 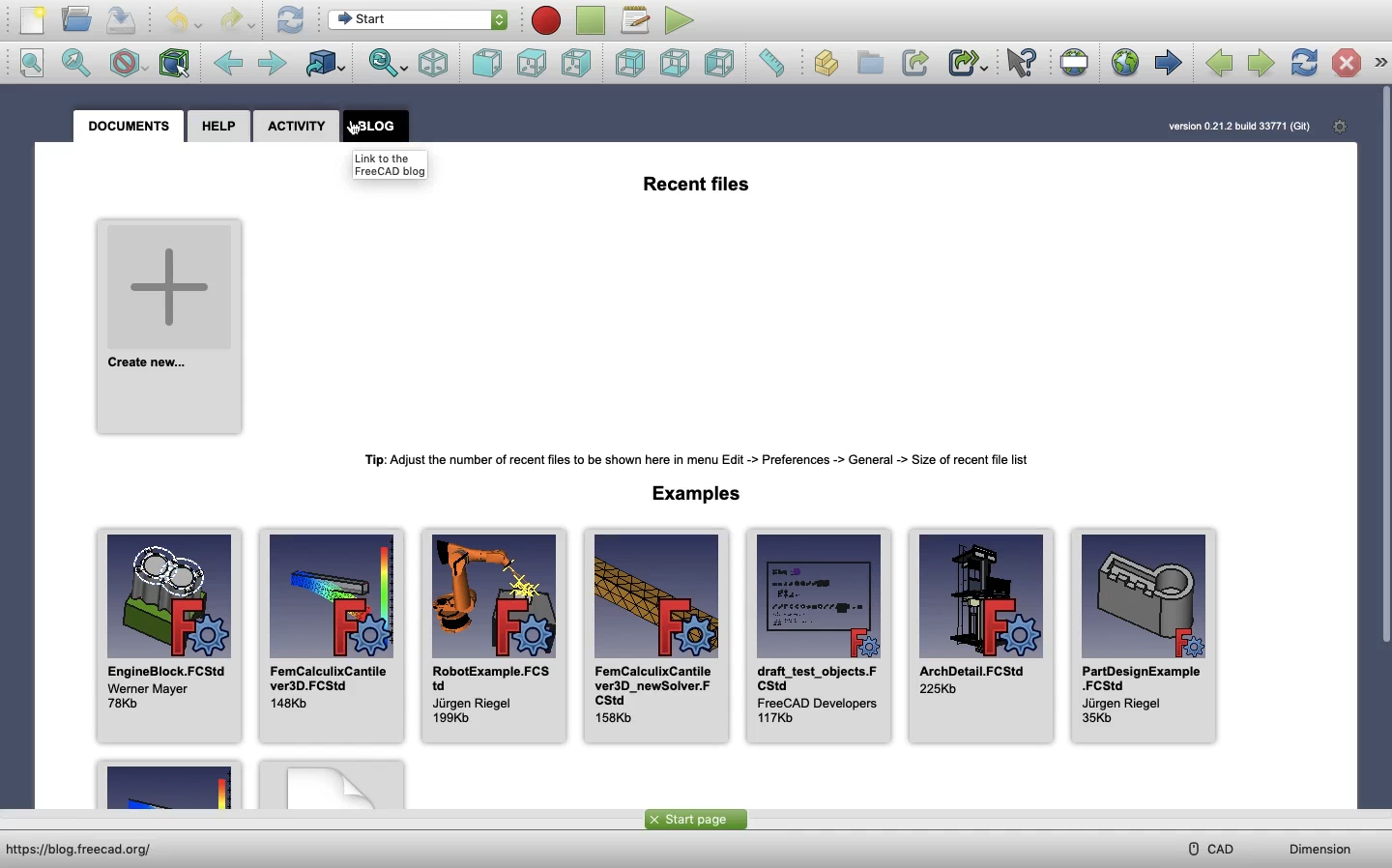 What do you see at coordinates (177, 64) in the screenshot?
I see `Selection Filter` at bounding box center [177, 64].